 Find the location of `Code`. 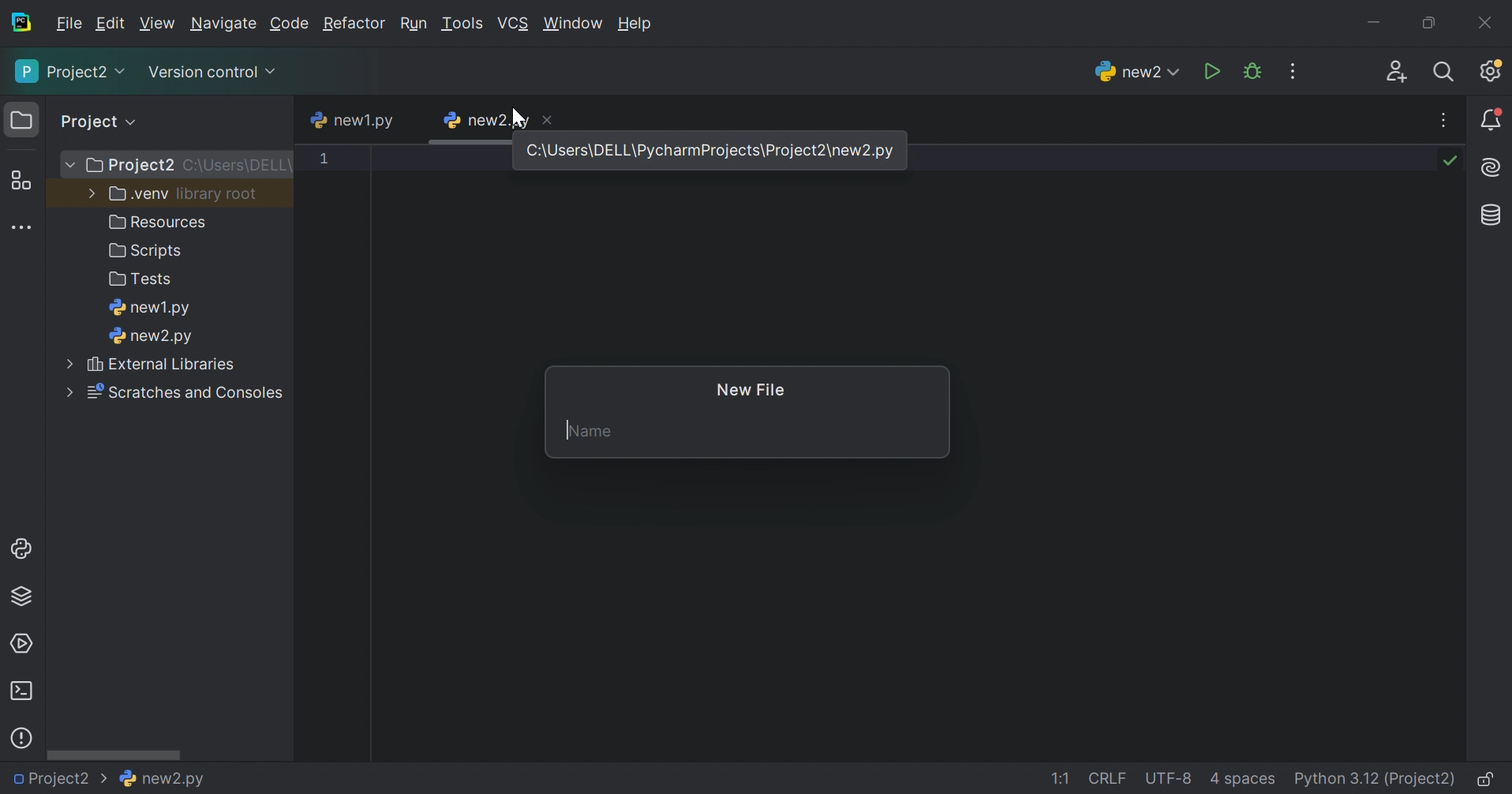

Code is located at coordinates (290, 24).